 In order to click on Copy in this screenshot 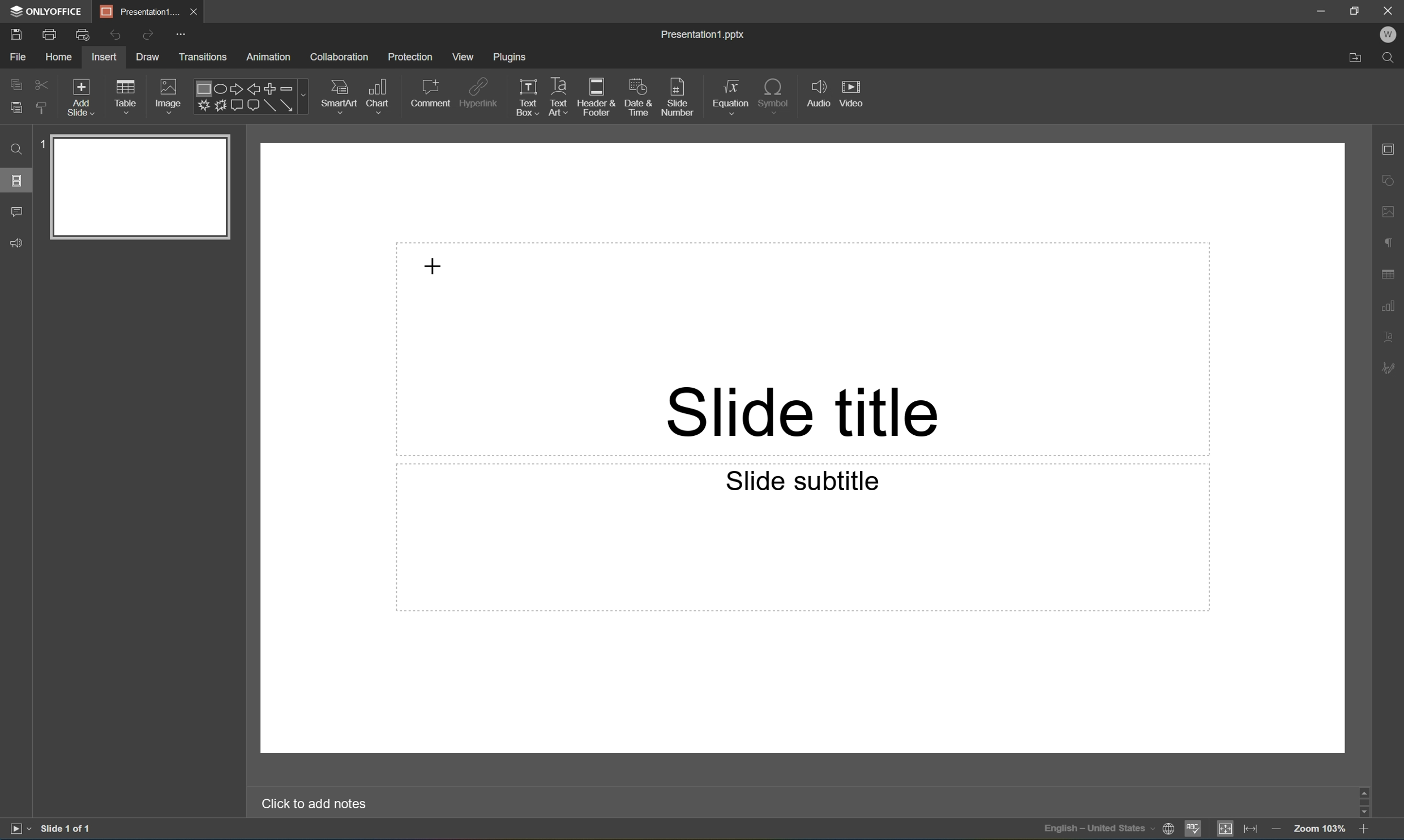, I will do `click(17, 83)`.